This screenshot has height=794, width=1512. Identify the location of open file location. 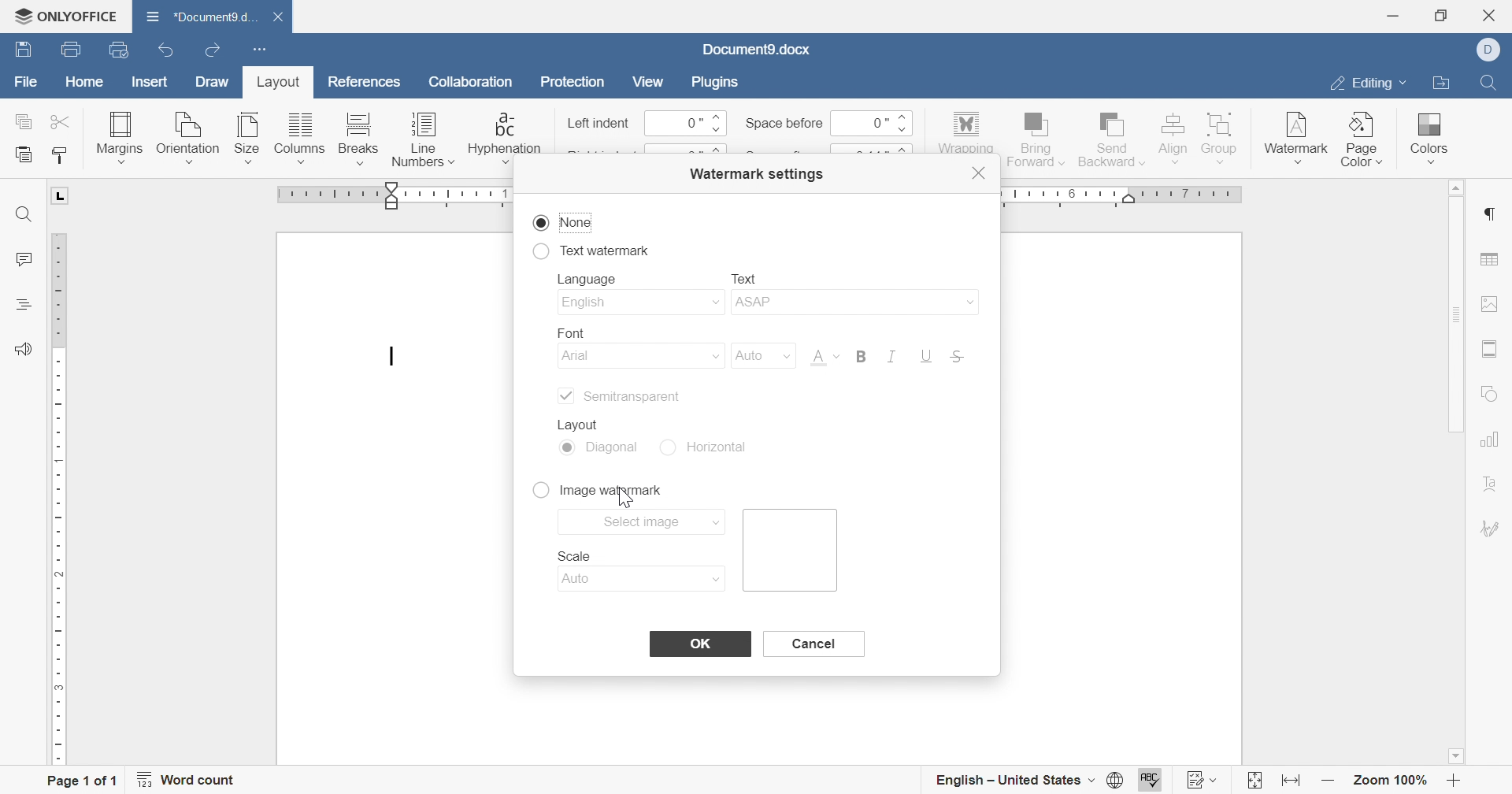
(1440, 84).